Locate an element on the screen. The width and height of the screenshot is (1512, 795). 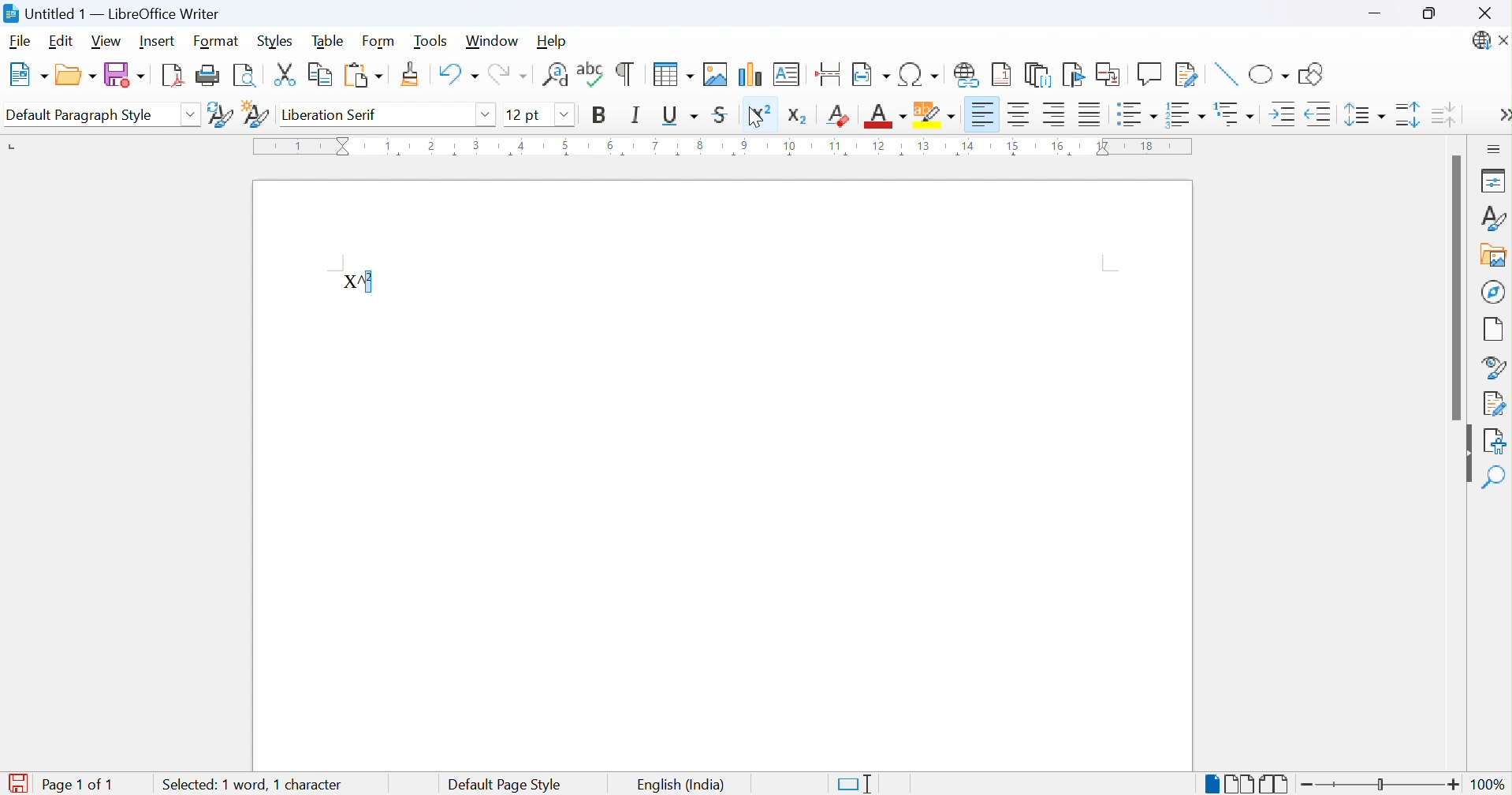
English (India) is located at coordinates (683, 784).